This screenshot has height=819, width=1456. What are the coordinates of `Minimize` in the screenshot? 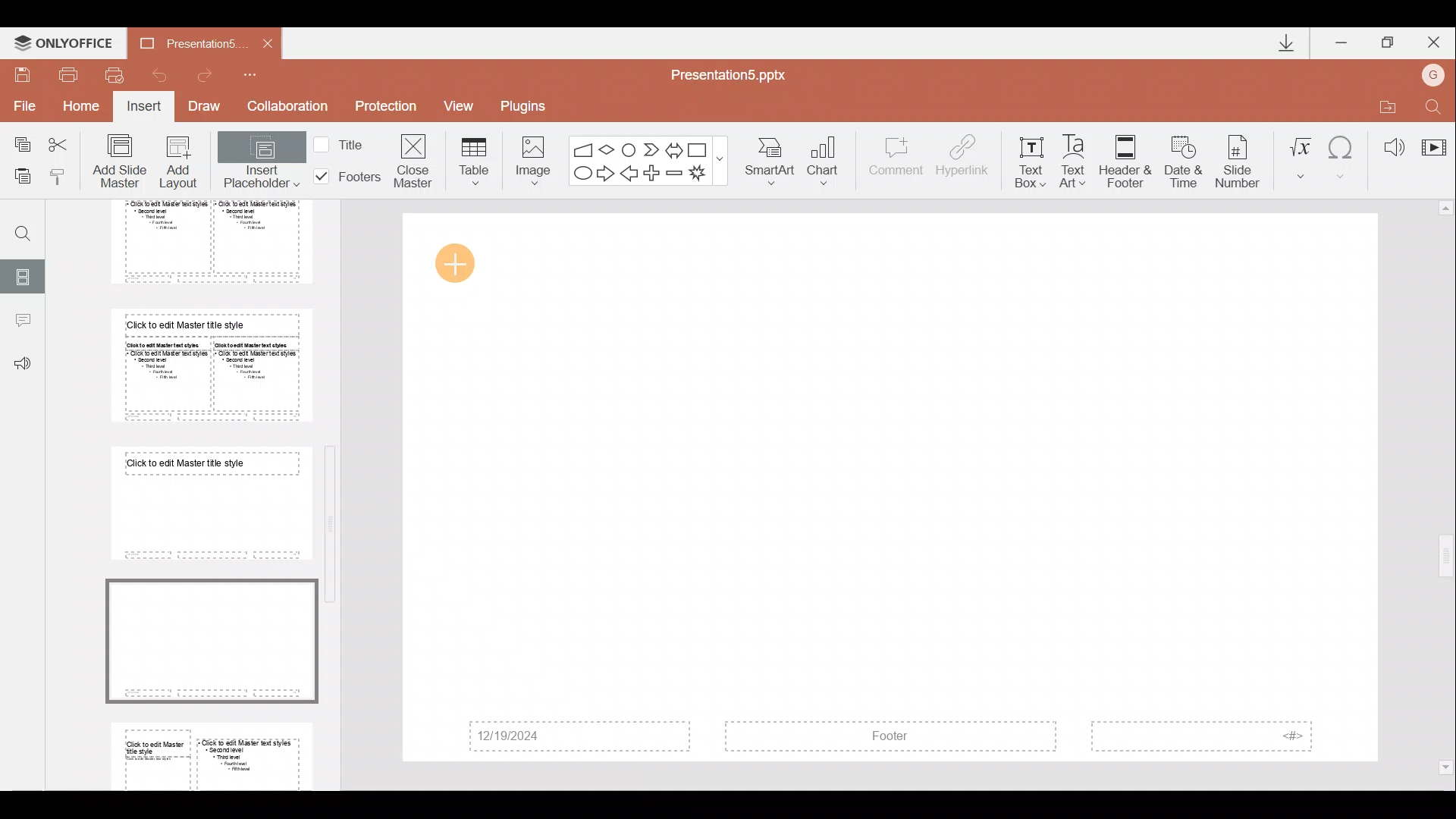 It's located at (1342, 39).